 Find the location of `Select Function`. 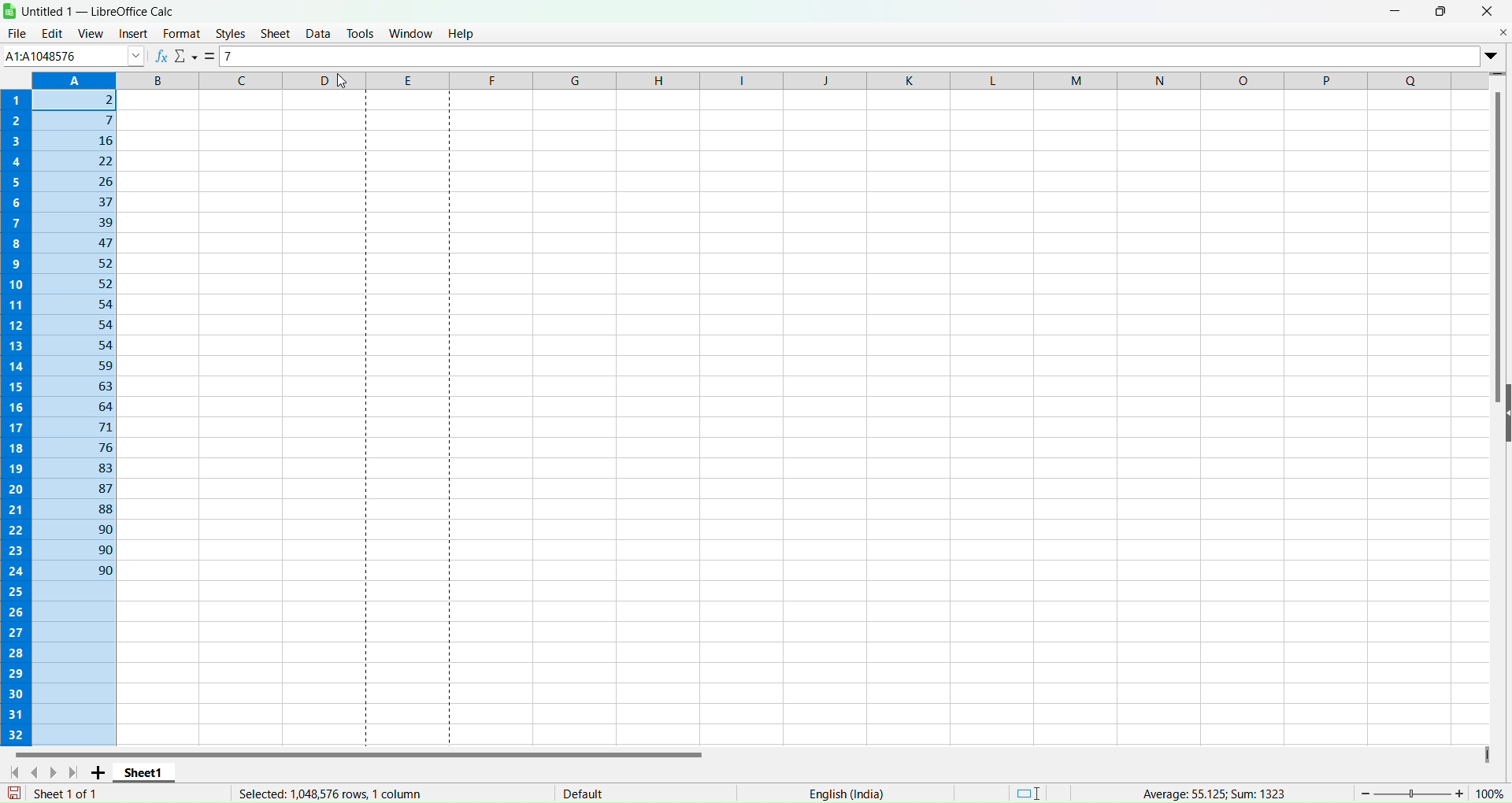

Select Function is located at coordinates (187, 57).